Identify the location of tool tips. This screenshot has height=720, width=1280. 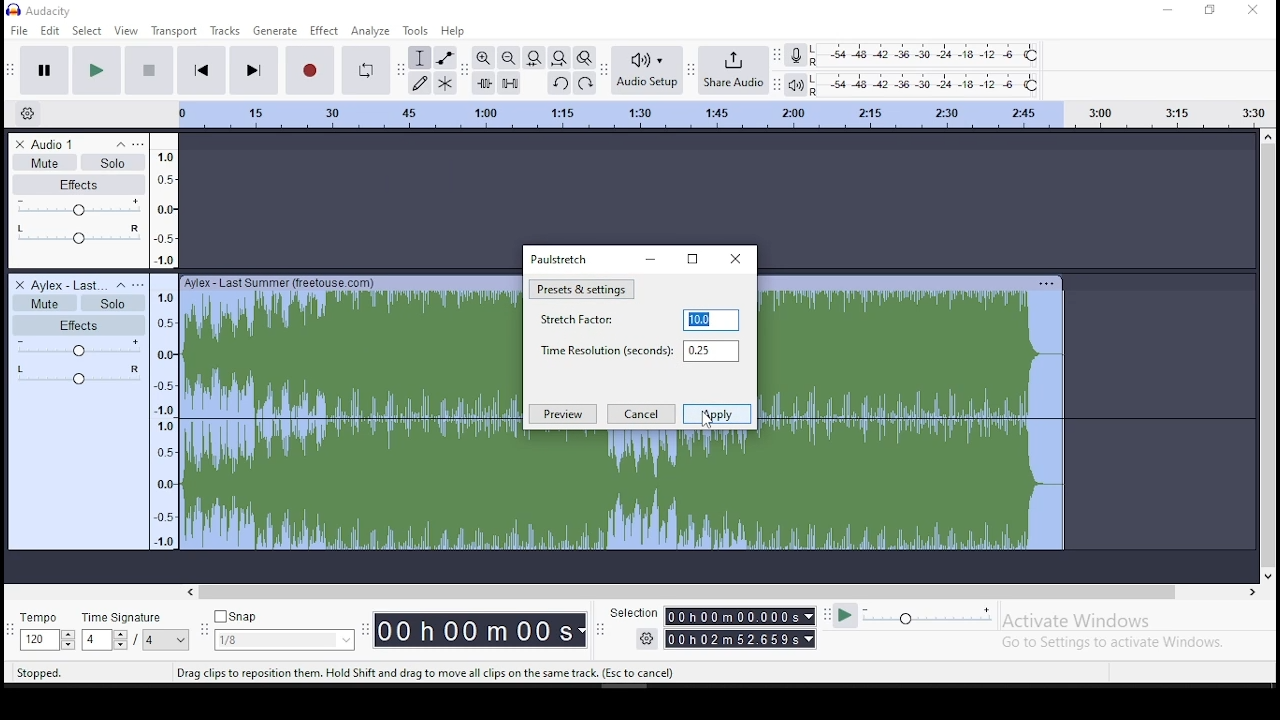
(422, 674).